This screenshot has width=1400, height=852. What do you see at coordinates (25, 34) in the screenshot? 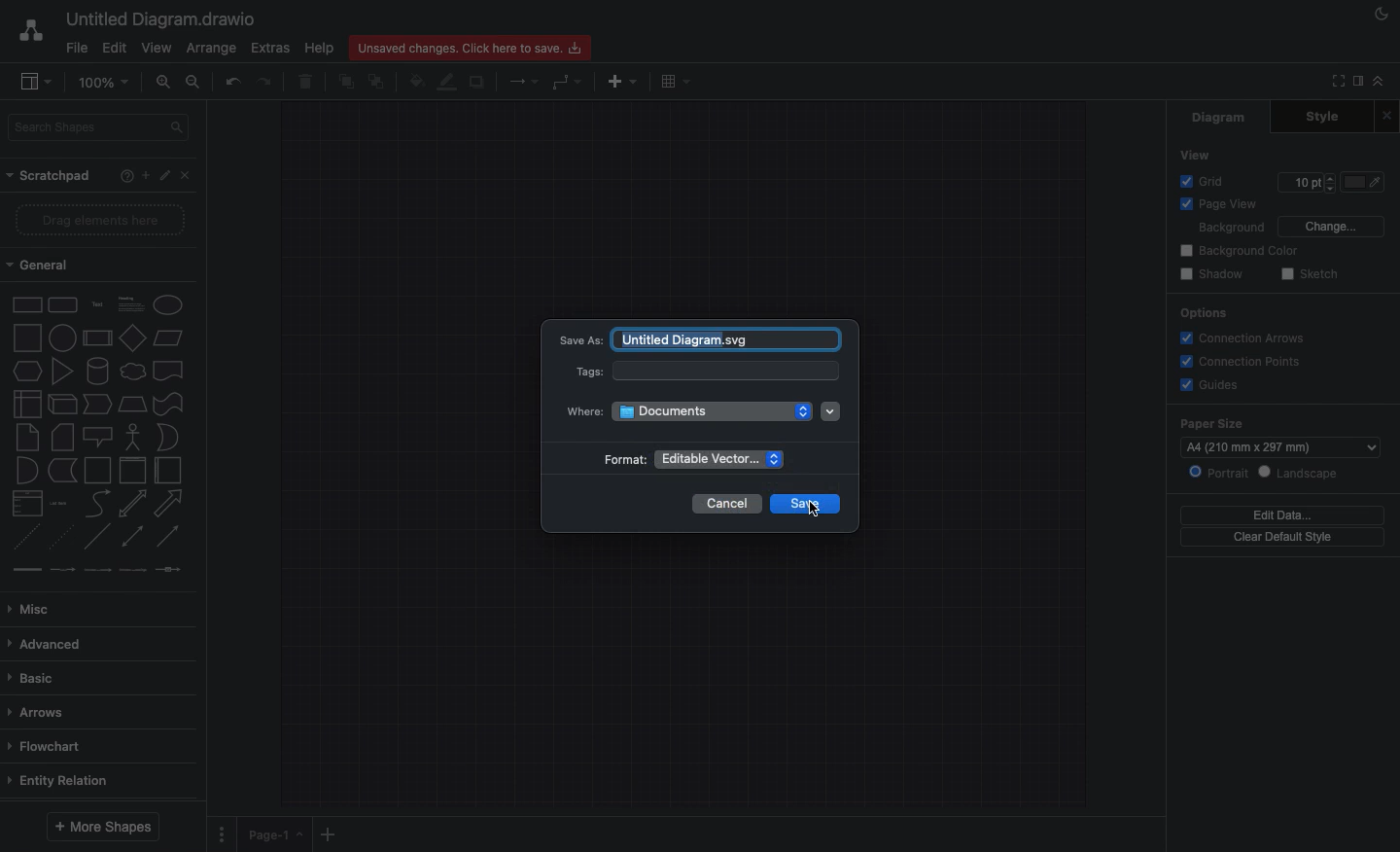
I see `Draw.io` at bounding box center [25, 34].